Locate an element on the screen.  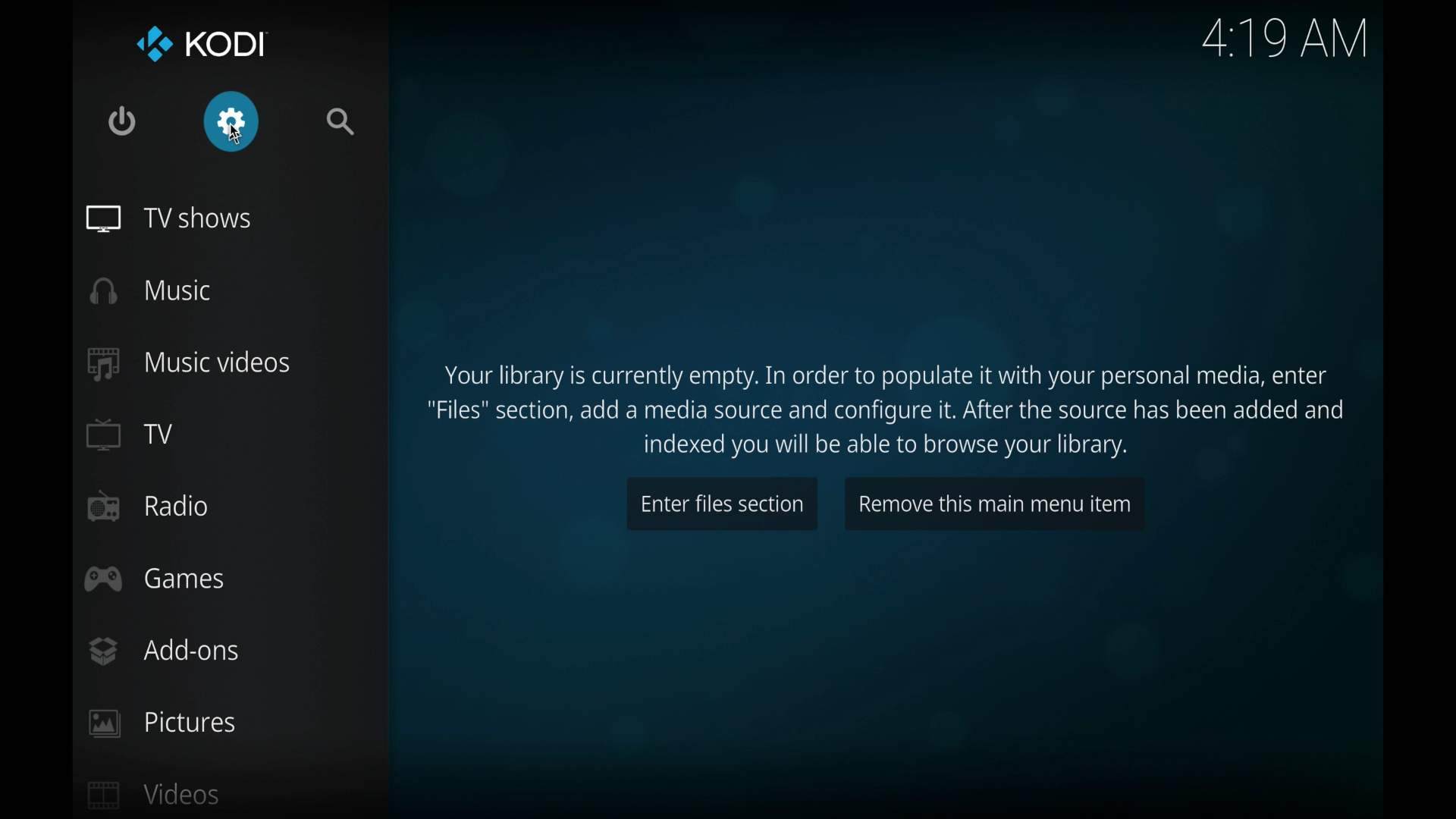
search is located at coordinates (342, 121).